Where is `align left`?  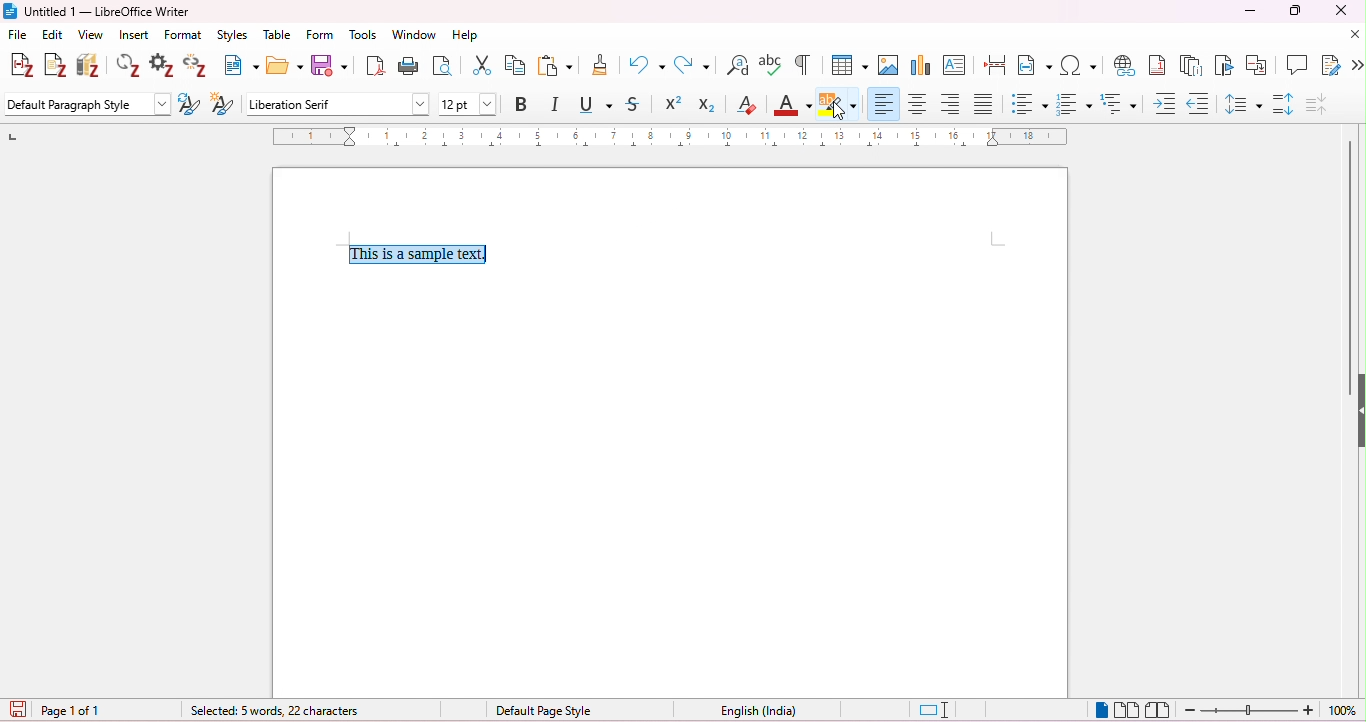
align left is located at coordinates (884, 102).